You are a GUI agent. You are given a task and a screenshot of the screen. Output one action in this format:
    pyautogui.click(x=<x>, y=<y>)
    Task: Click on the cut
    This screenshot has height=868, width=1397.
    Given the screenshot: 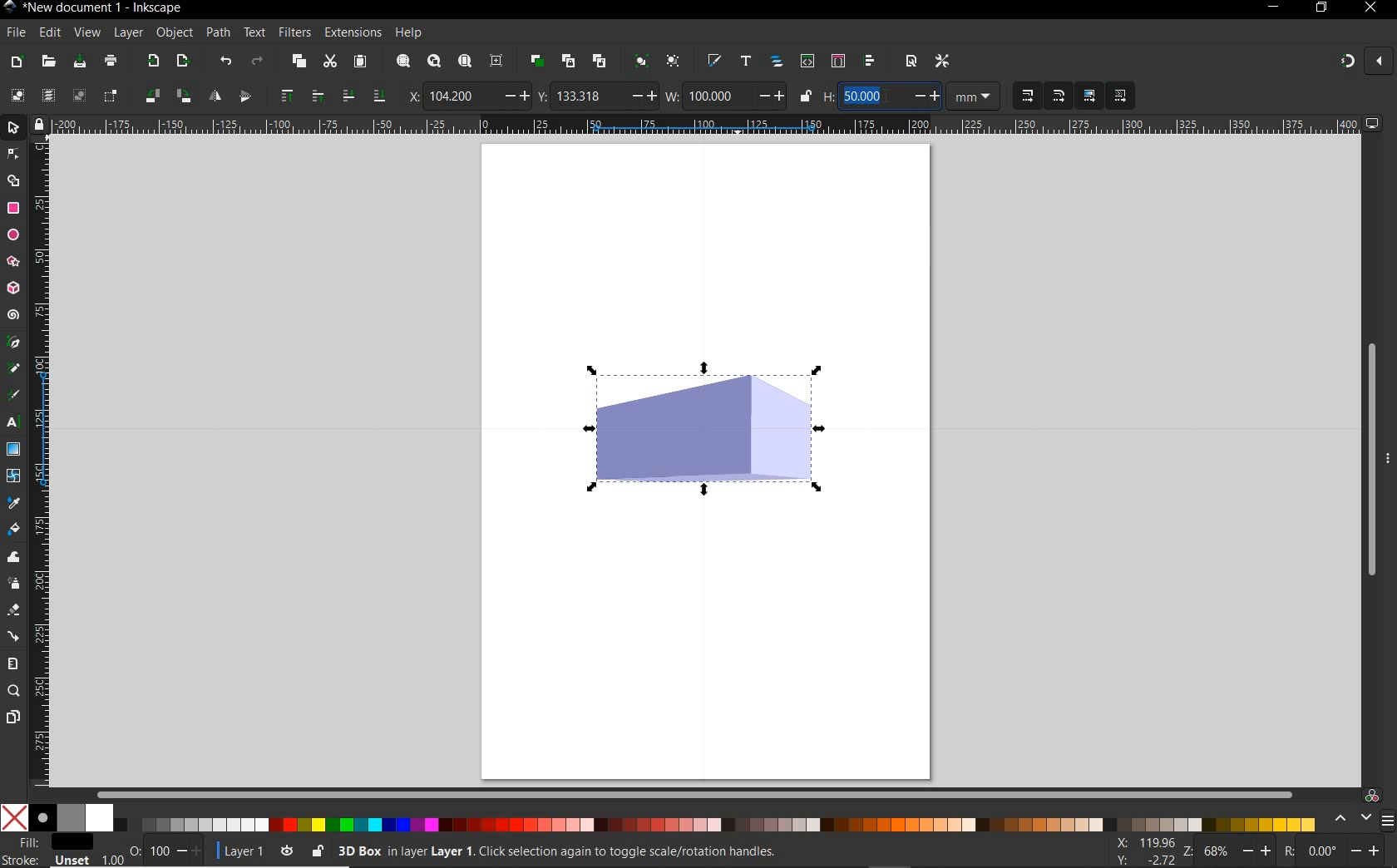 What is the action you would take?
    pyautogui.click(x=329, y=61)
    